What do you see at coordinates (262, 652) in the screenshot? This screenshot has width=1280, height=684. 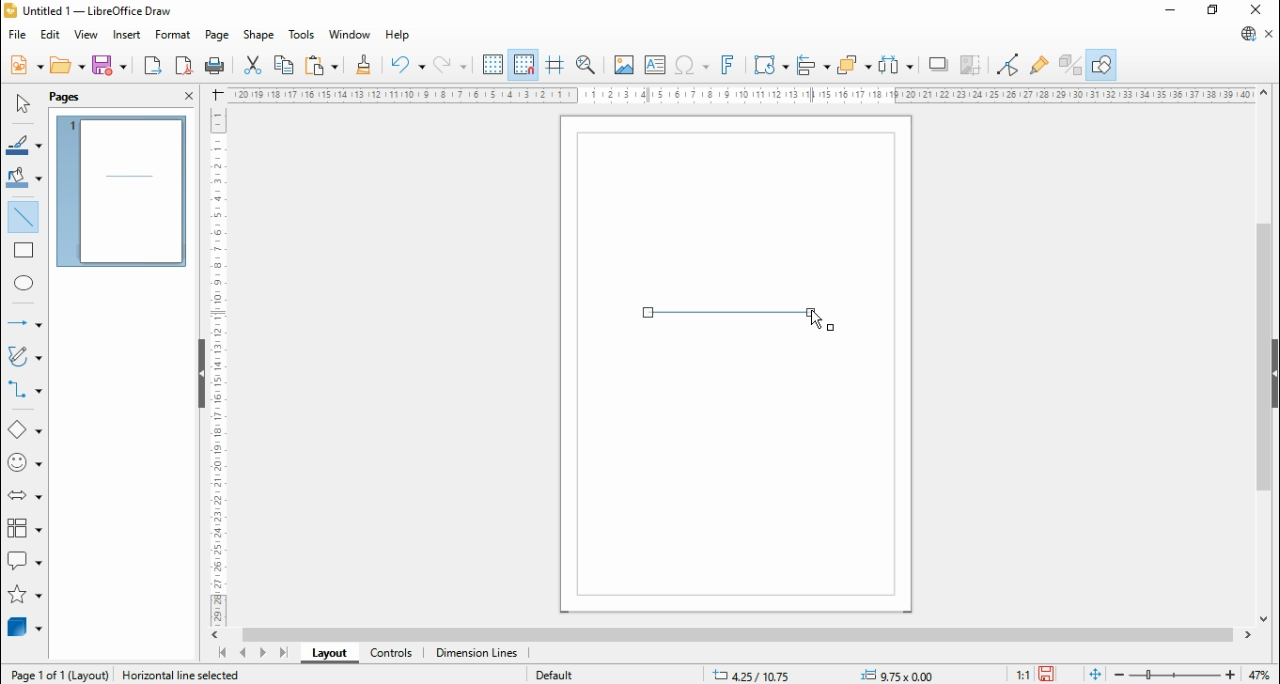 I see `next page` at bounding box center [262, 652].